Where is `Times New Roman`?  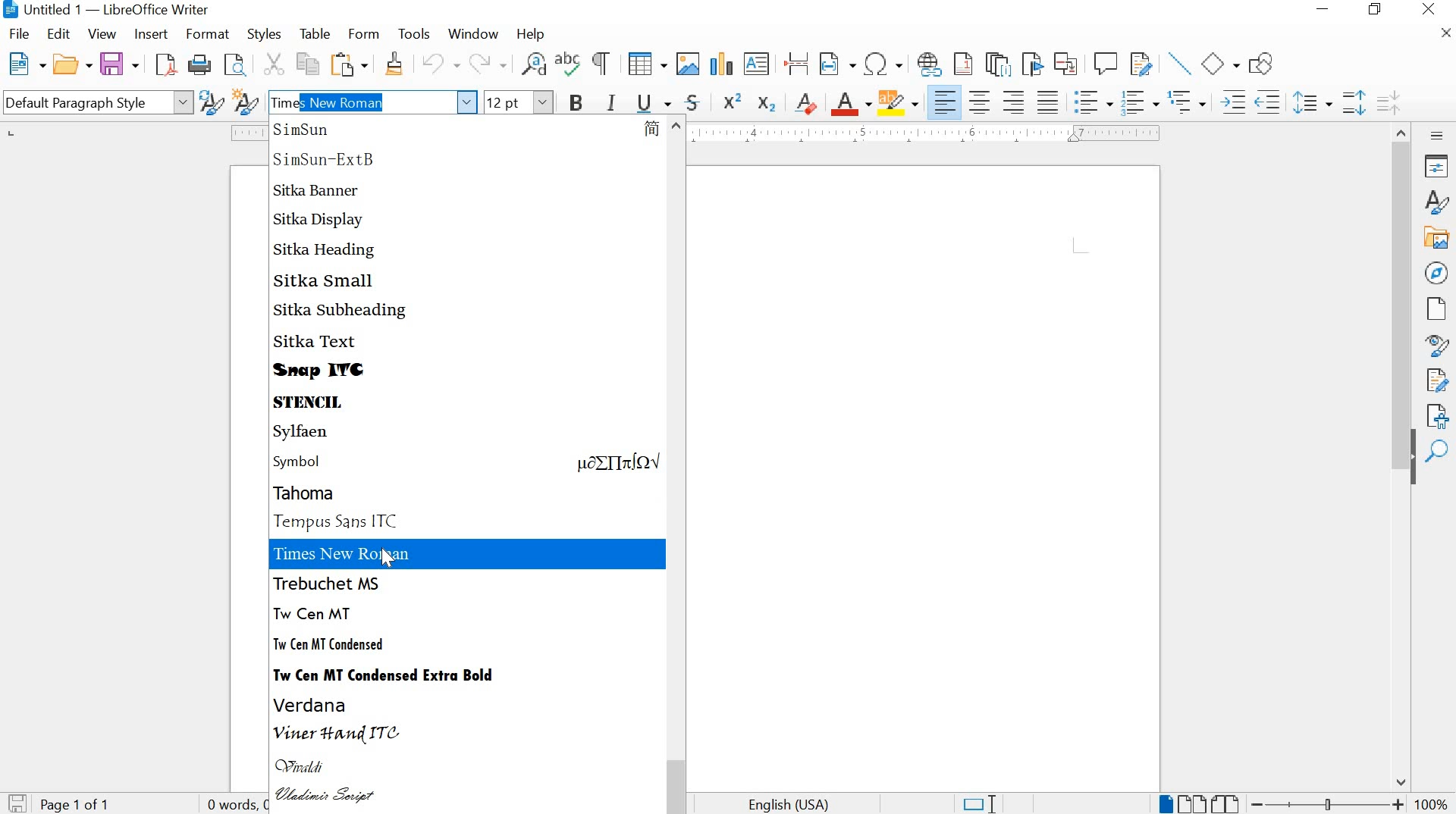
Times New Roman is located at coordinates (326, 101).